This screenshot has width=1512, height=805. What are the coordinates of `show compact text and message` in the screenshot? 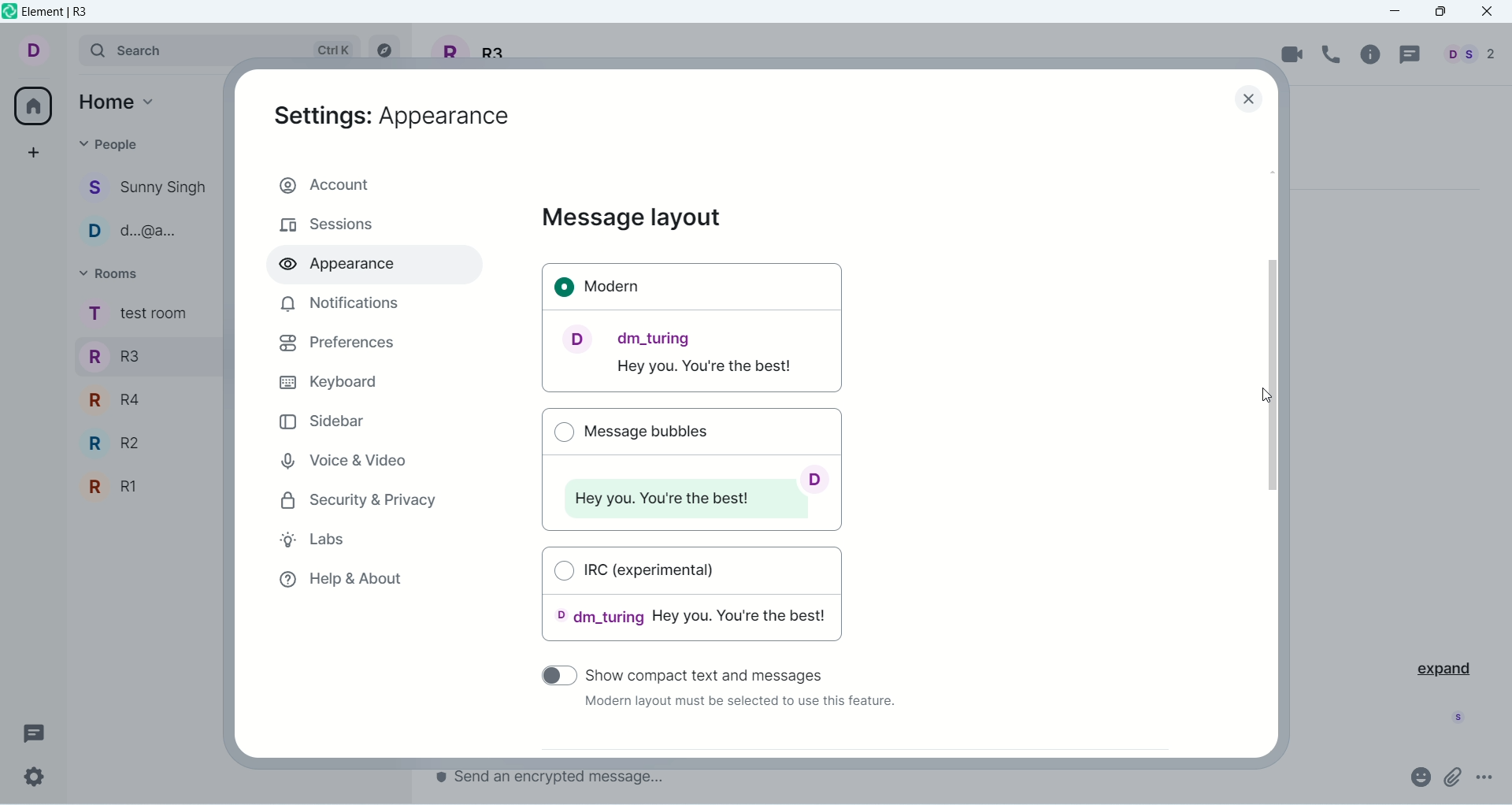 It's located at (717, 673).